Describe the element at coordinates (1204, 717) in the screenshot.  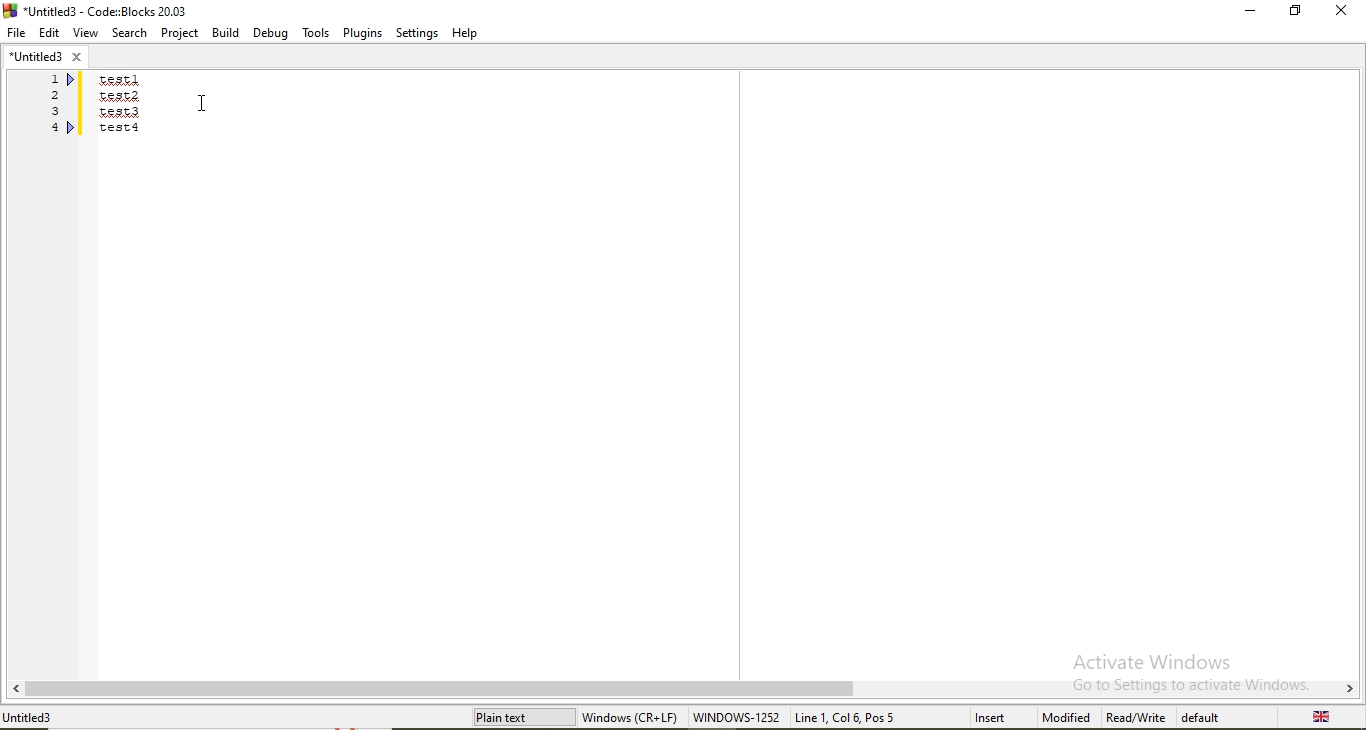
I see `default` at that location.